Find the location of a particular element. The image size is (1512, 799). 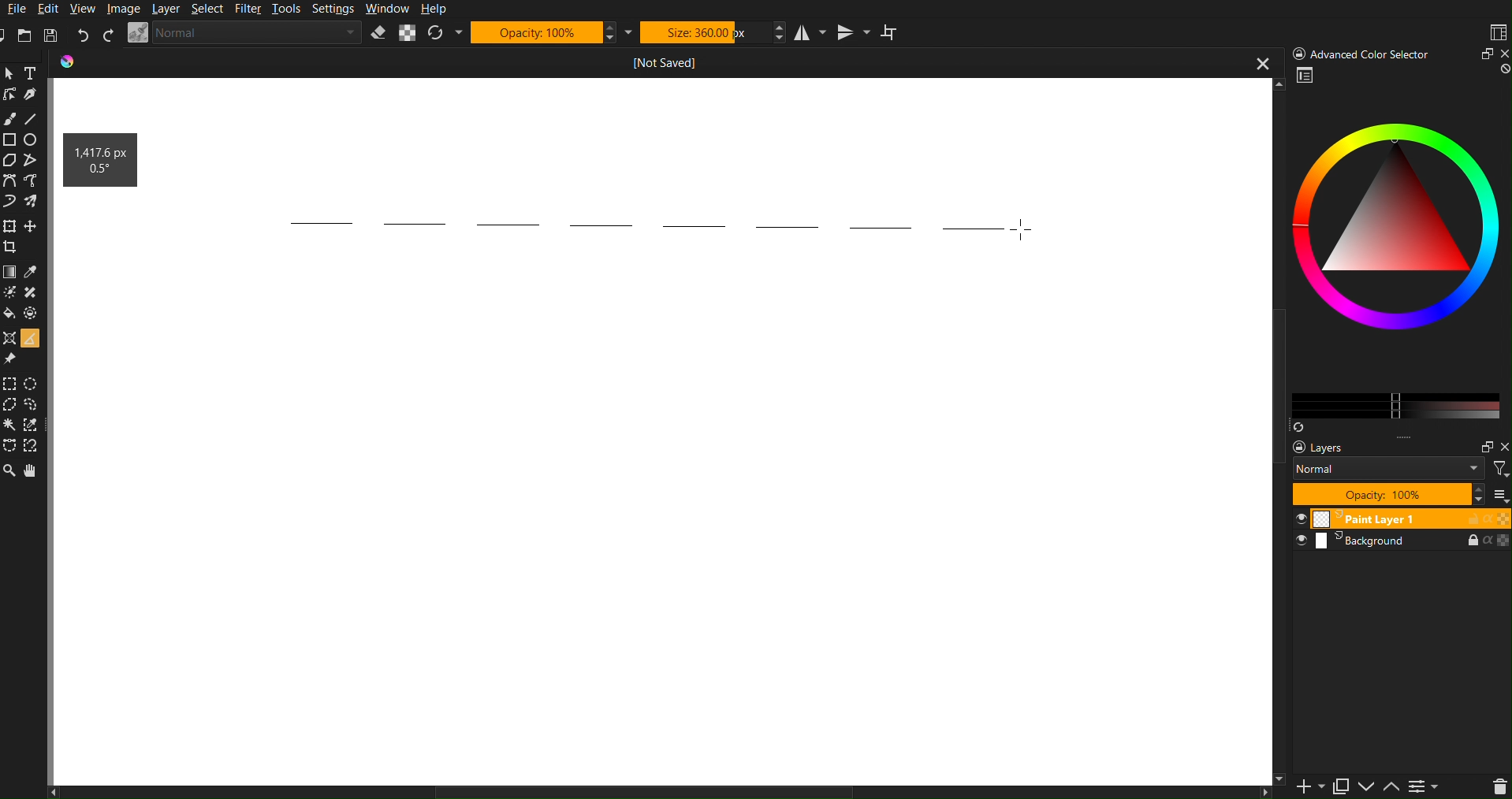

Image  is located at coordinates (122, 9).